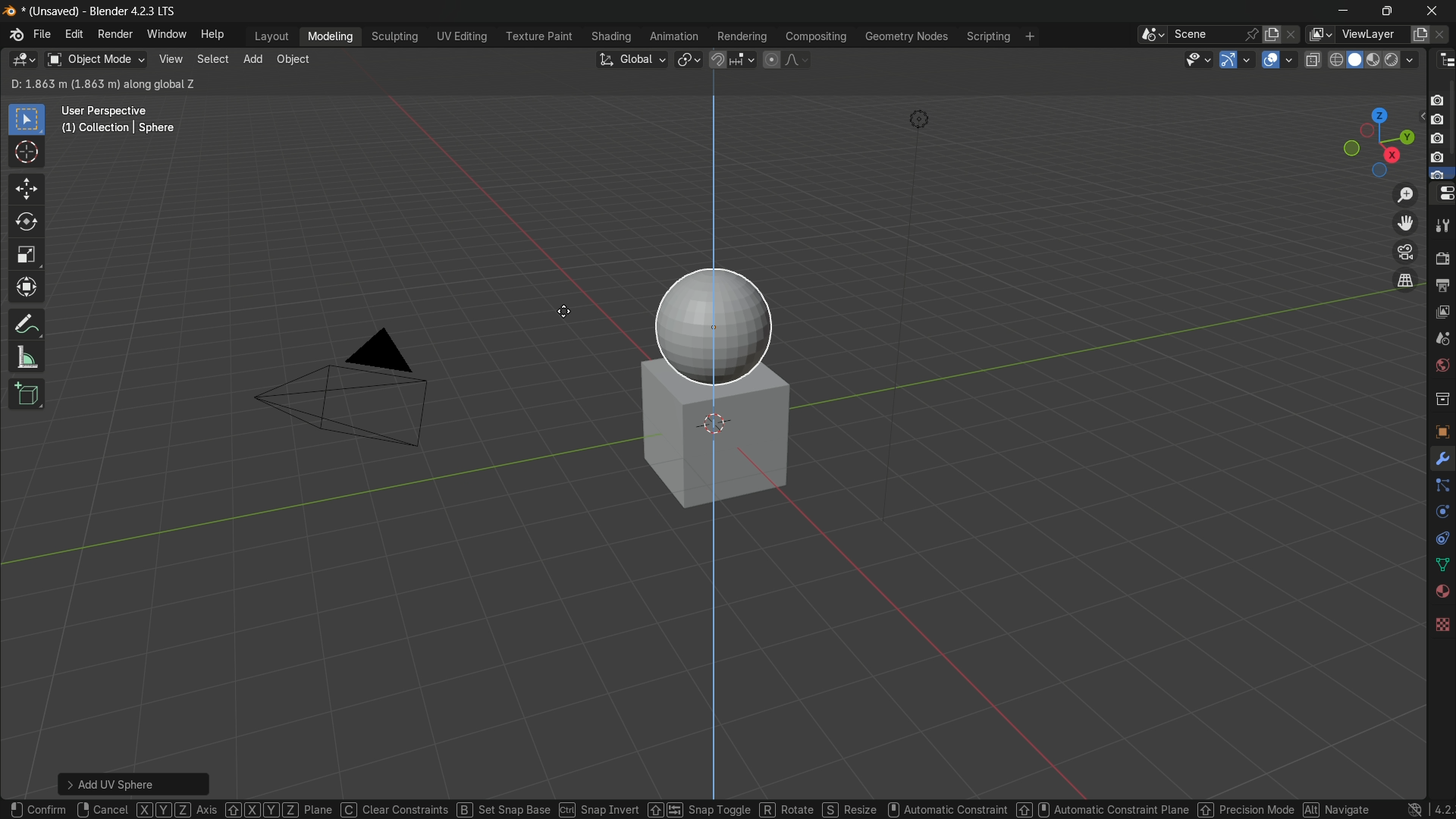  Describe the element at coordinates (462, 36) in the screenshot. I see `uv editing menu` at that location.